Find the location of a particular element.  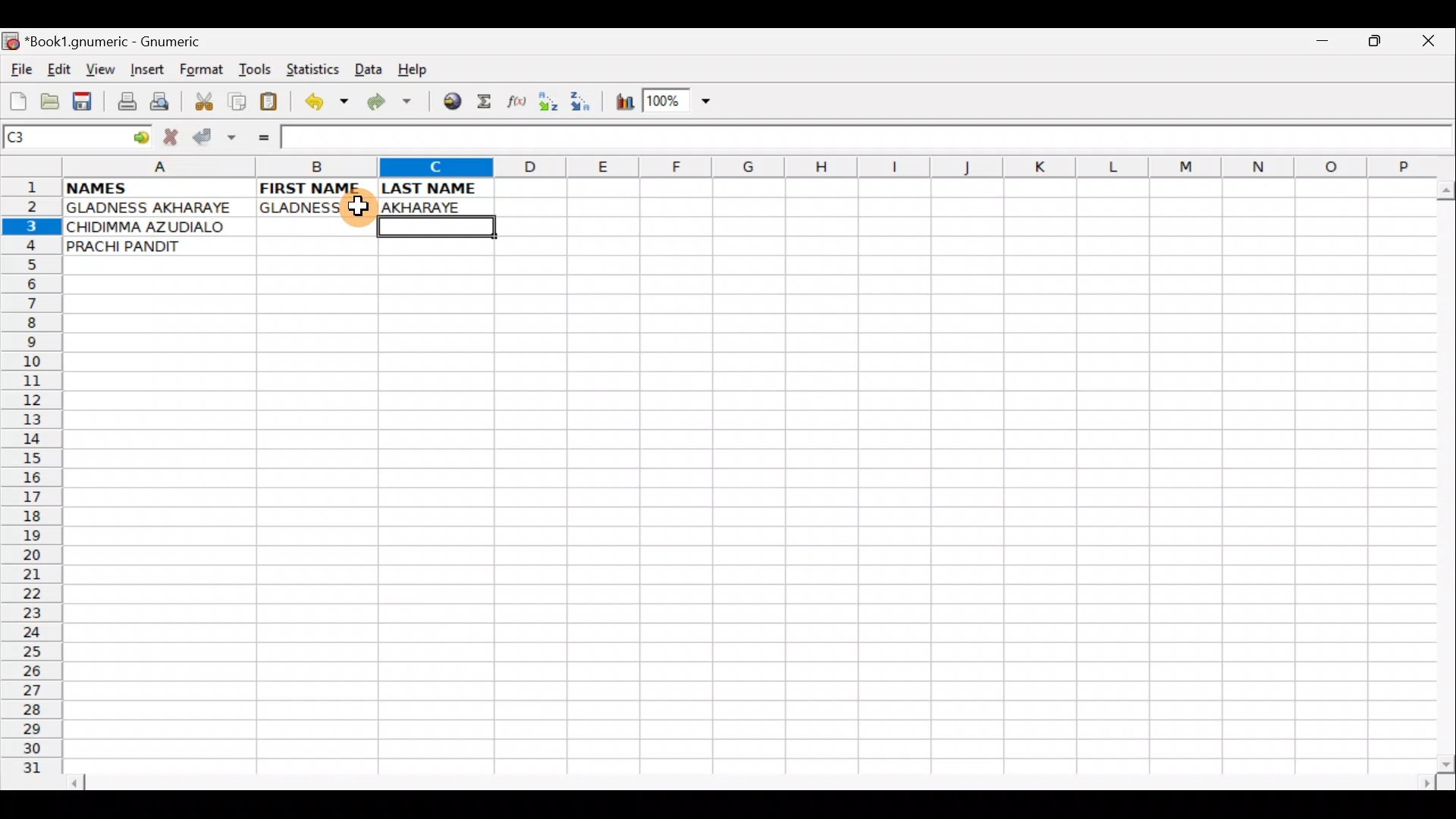

Accept change is located at coordinates (215, 137).